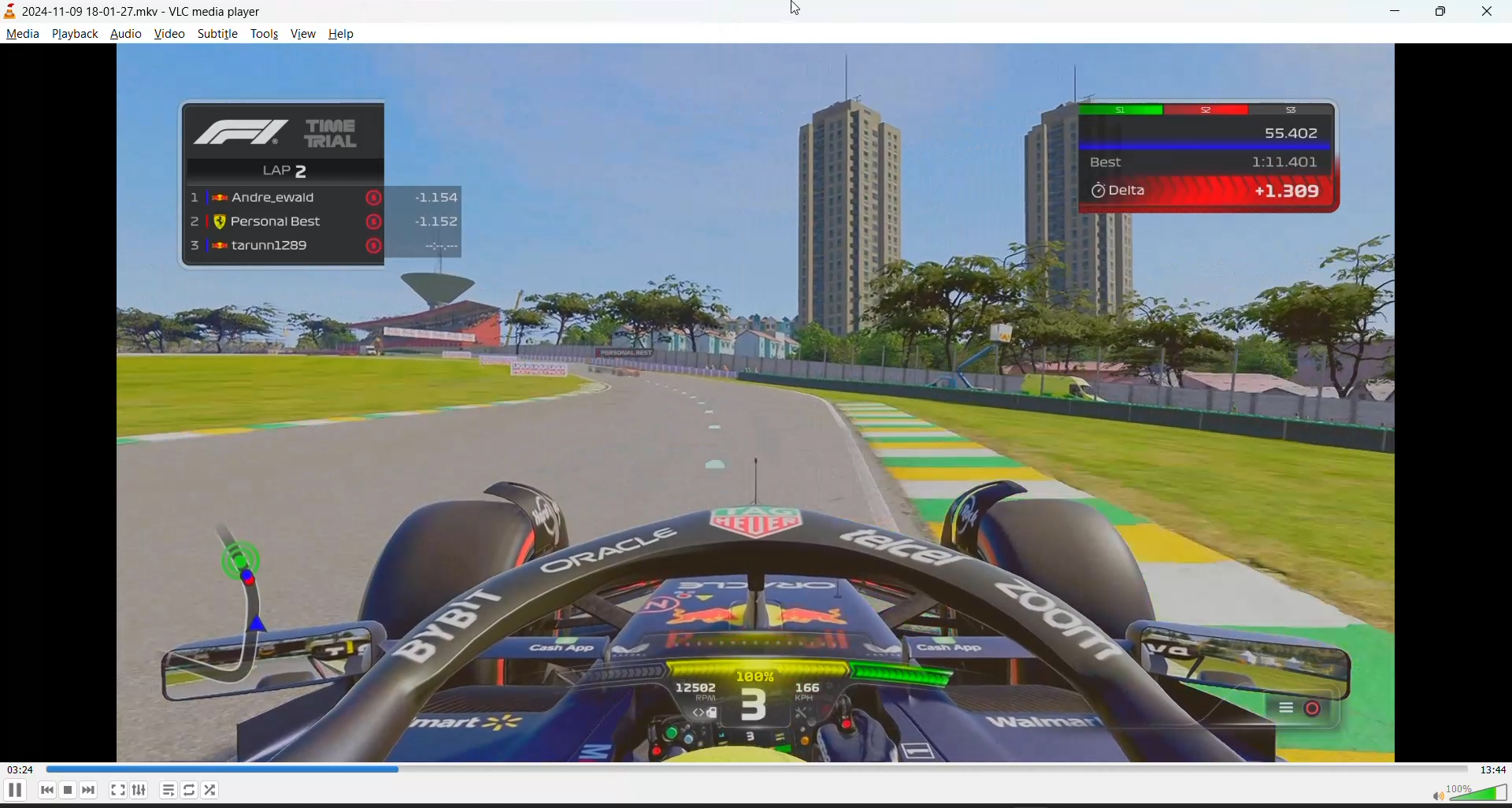 The image size is (1512, 808). What do you see at coordinates (1440, 13) in the screenshot?
I see `maximize` at bounding box center [1440, 13].